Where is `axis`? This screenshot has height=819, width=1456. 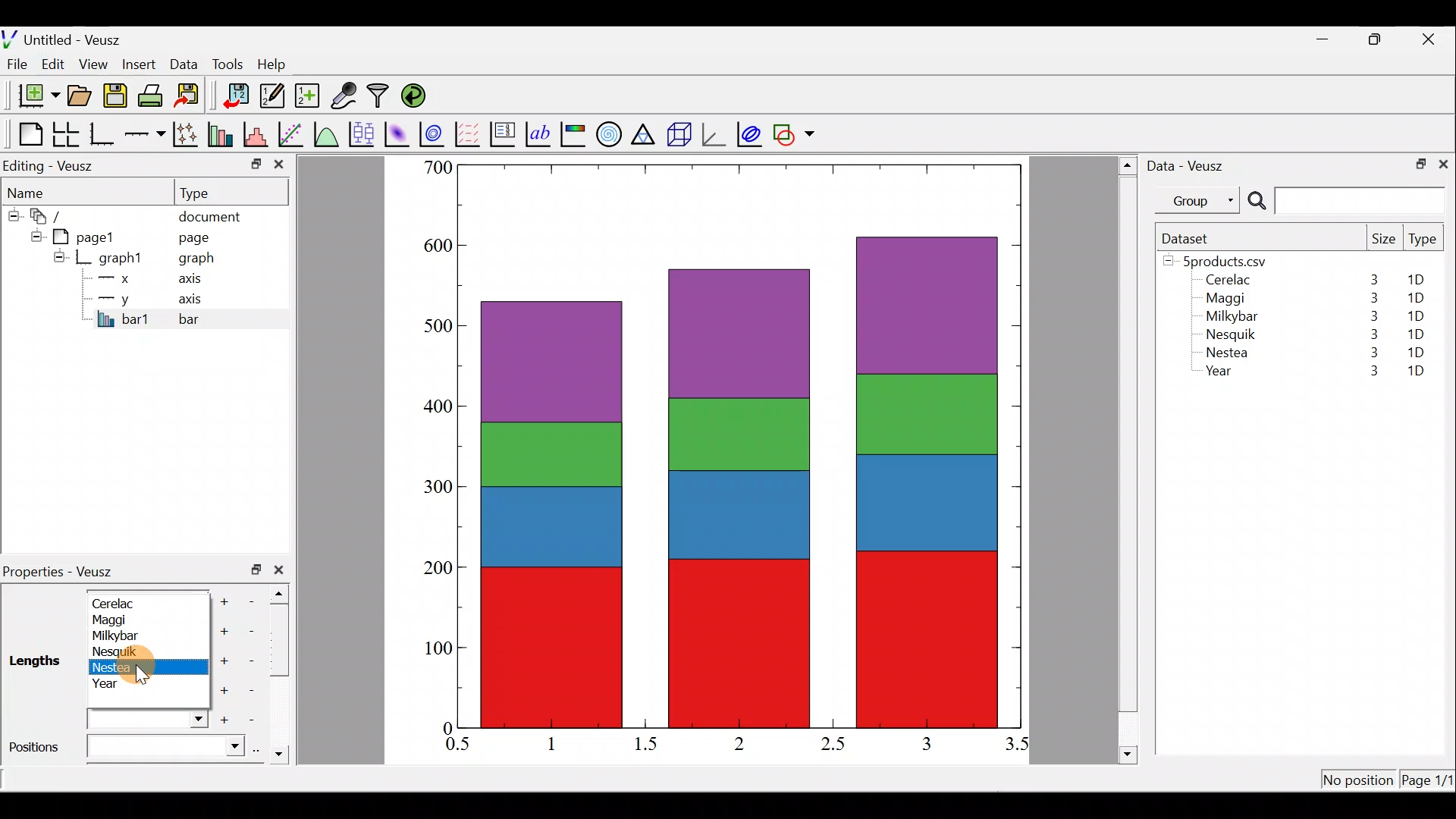 axis is located at coordinates (197, 300).